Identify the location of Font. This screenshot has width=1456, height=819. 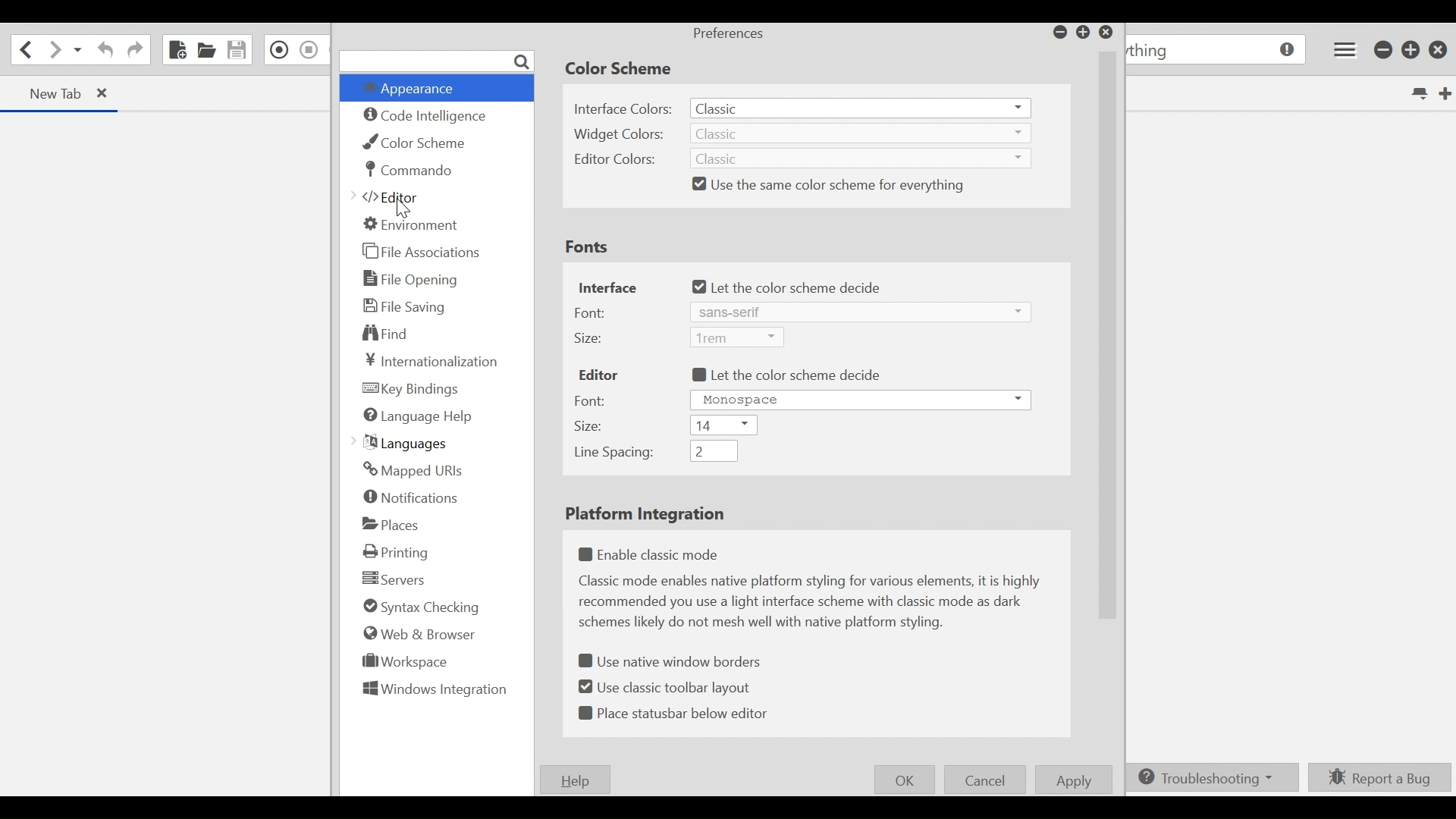
(588, 400).